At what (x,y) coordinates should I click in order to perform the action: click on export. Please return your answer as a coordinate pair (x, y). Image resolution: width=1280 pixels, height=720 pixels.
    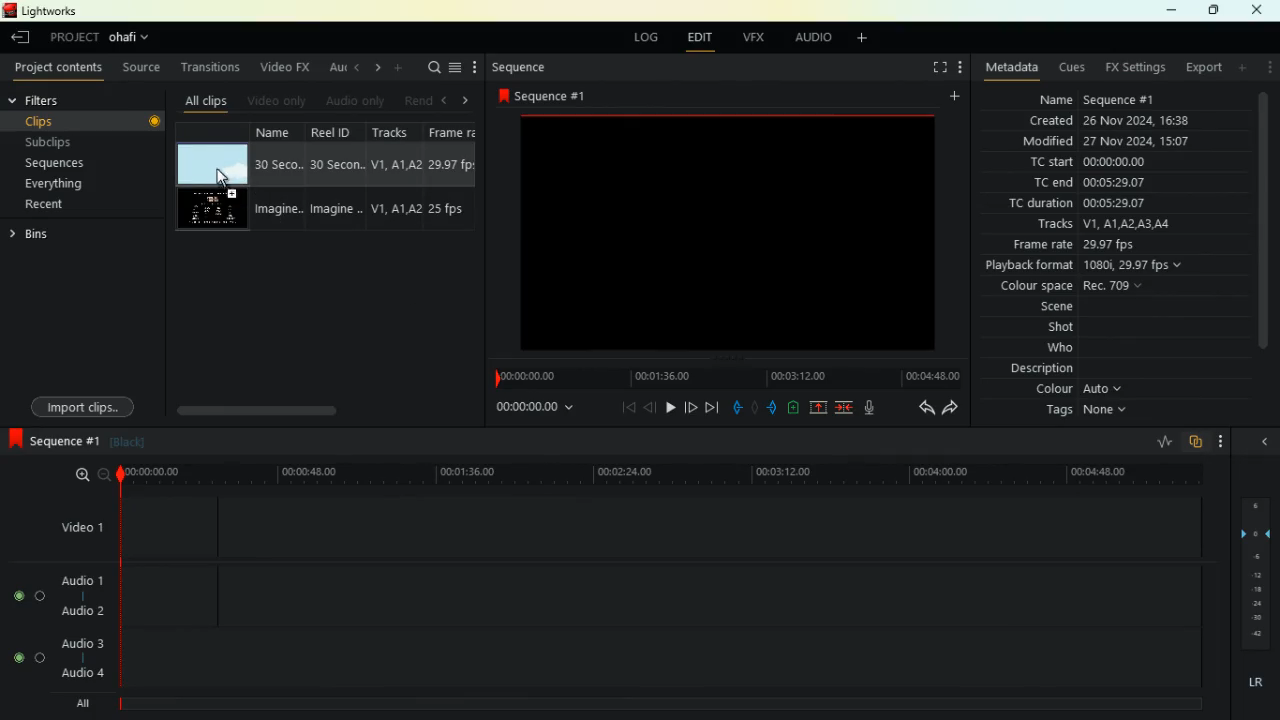
    Looking at the image, I should click on (1203, 68).